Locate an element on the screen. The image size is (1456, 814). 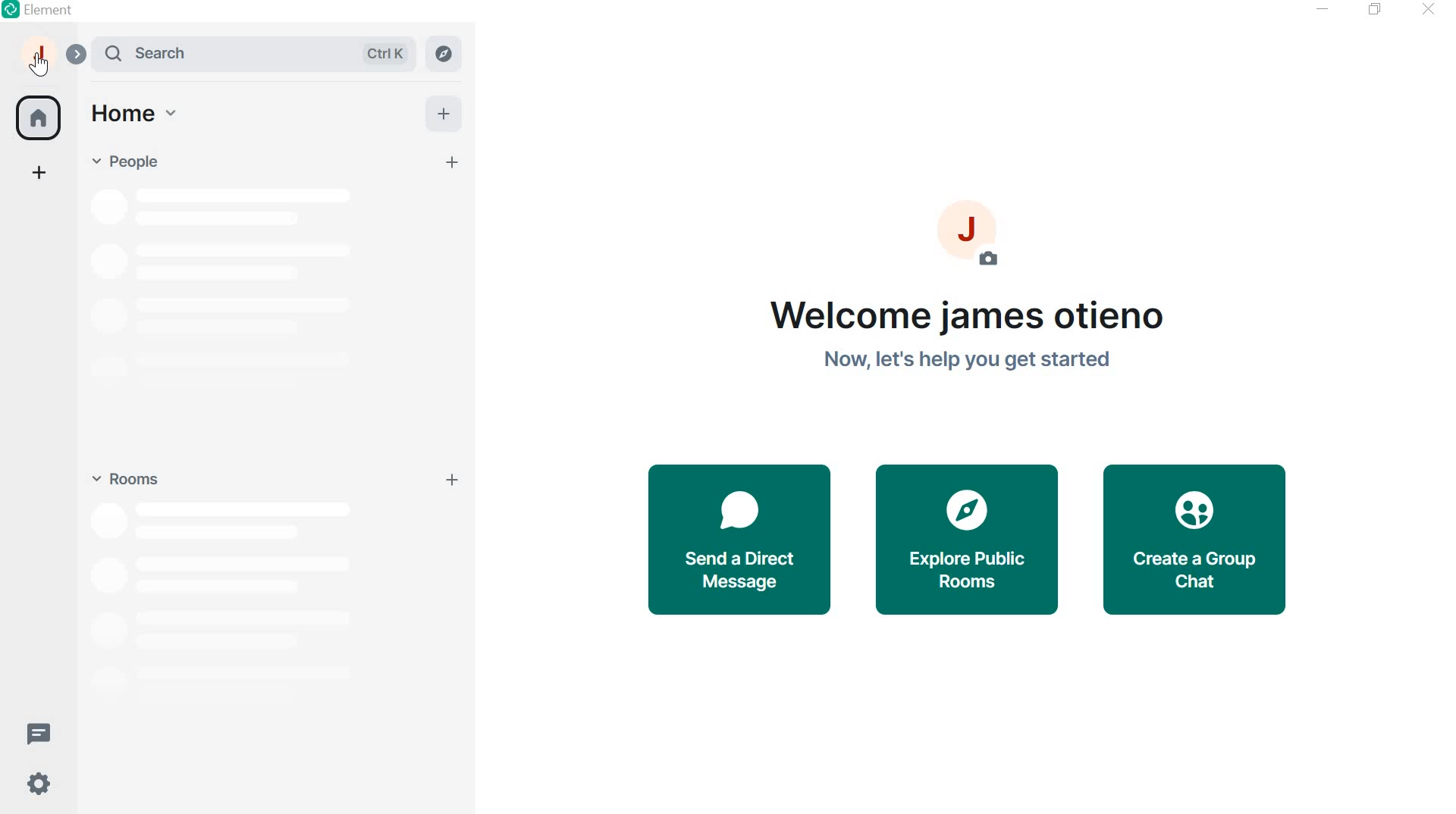
EXPLORE PUBLIC ROOMS is located at coordinates (968, 540).